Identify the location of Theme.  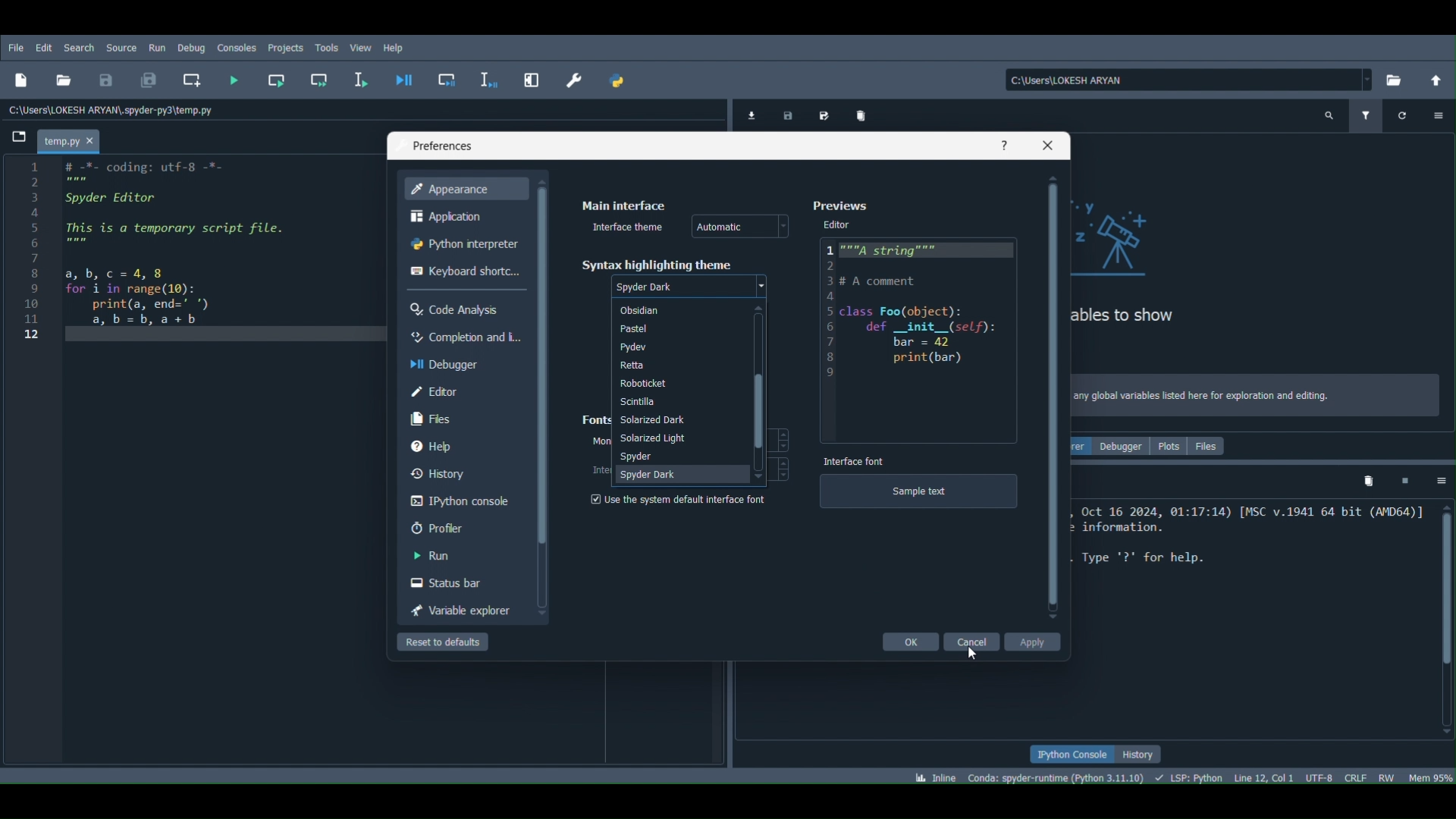
(651, 289).